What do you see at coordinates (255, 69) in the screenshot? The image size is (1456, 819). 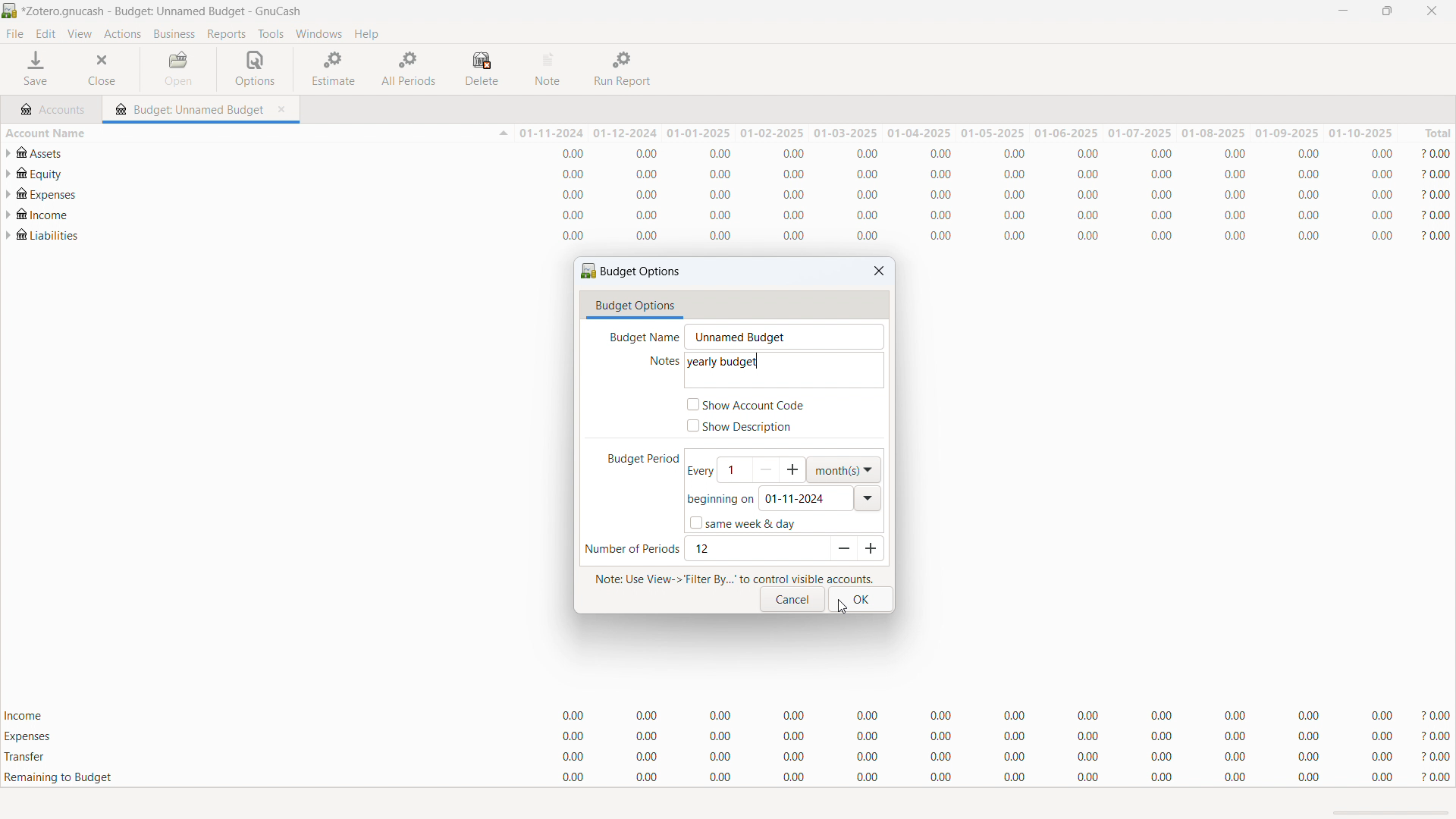 I see `options` at bounding box center [255, 69].